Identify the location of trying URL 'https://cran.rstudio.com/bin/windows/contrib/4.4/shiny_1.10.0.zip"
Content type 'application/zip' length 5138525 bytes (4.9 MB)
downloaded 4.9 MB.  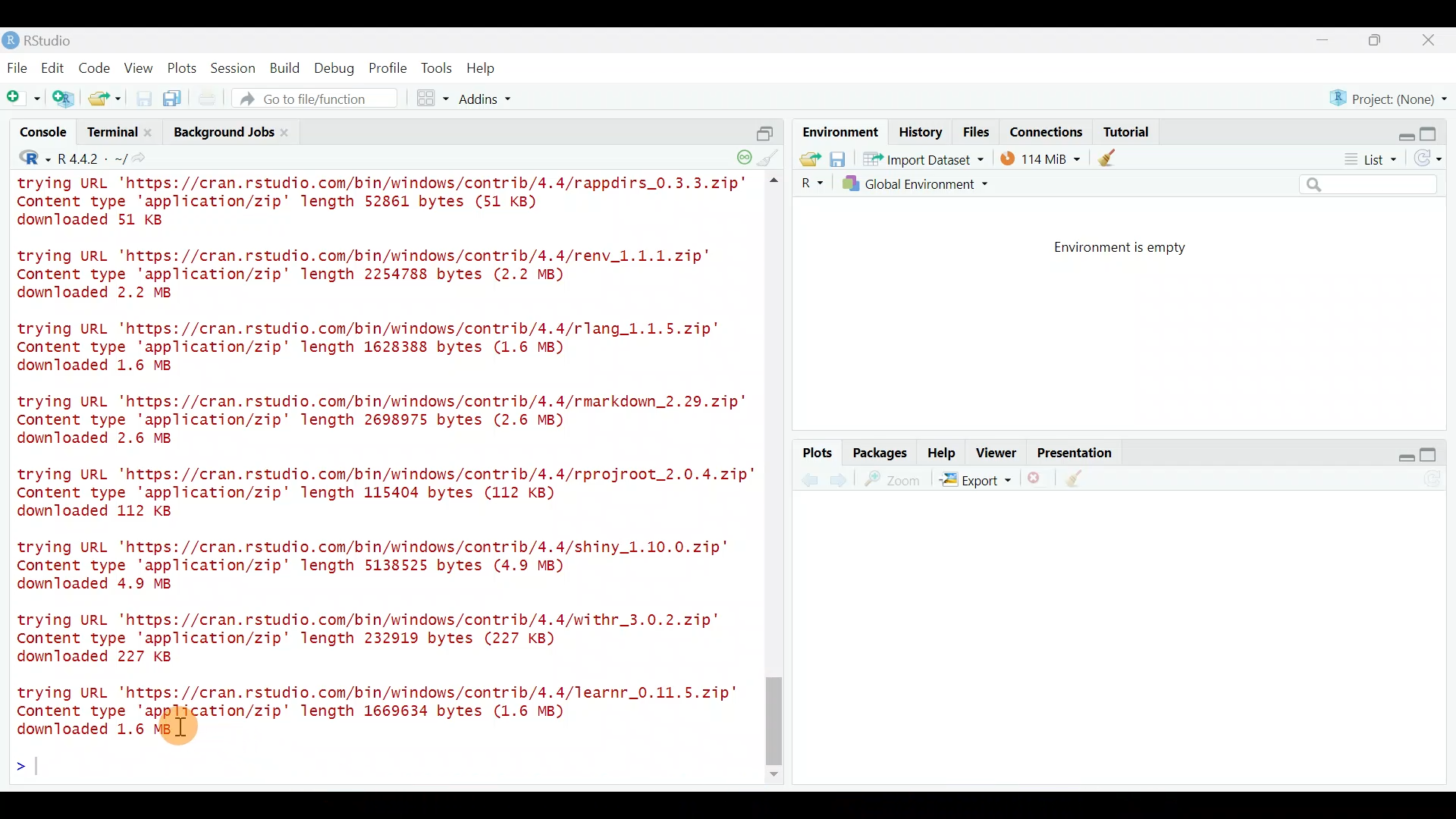
(386, 563).